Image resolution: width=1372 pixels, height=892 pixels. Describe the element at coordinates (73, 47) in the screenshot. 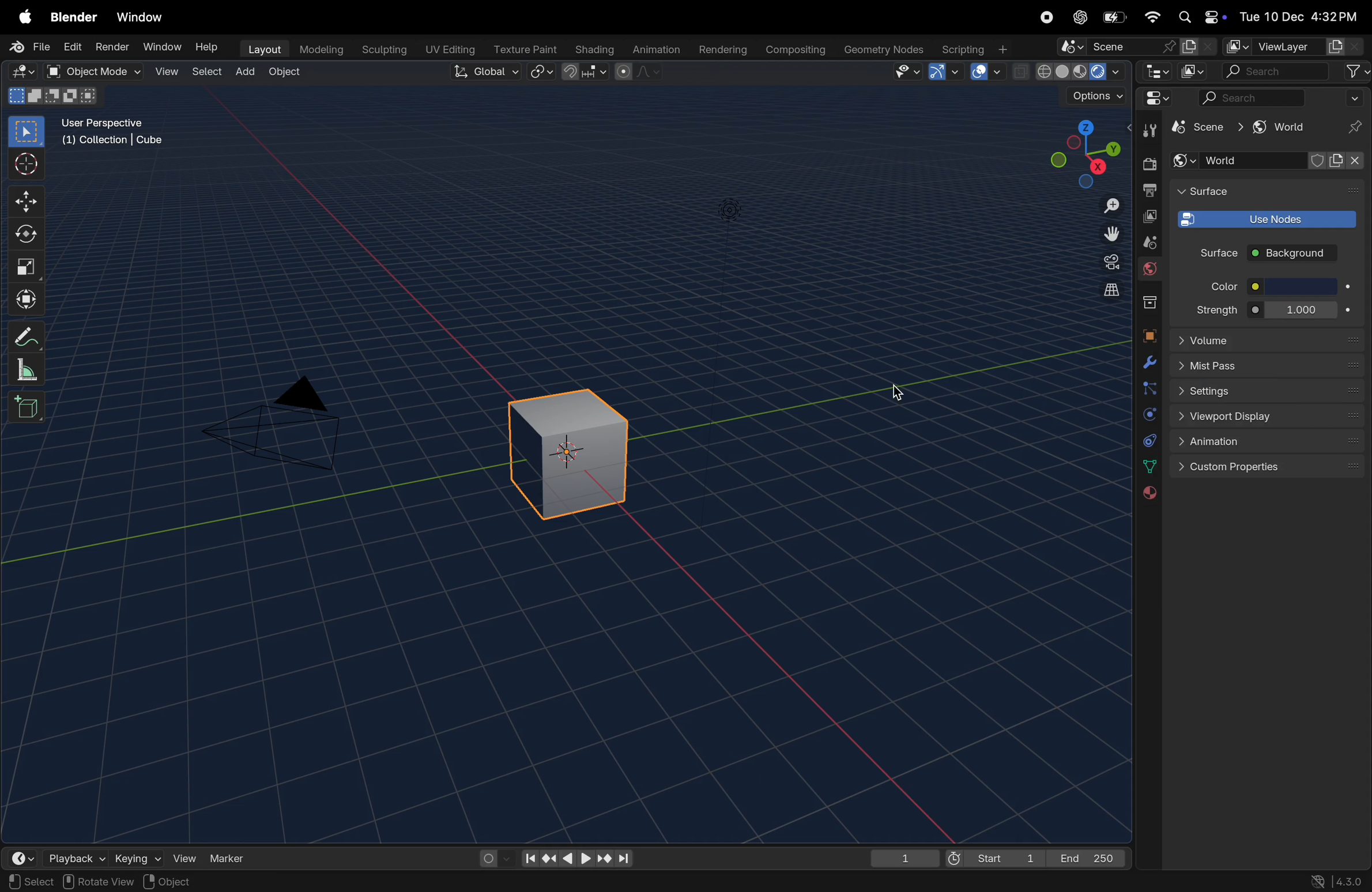

I see `Edit` at that location.